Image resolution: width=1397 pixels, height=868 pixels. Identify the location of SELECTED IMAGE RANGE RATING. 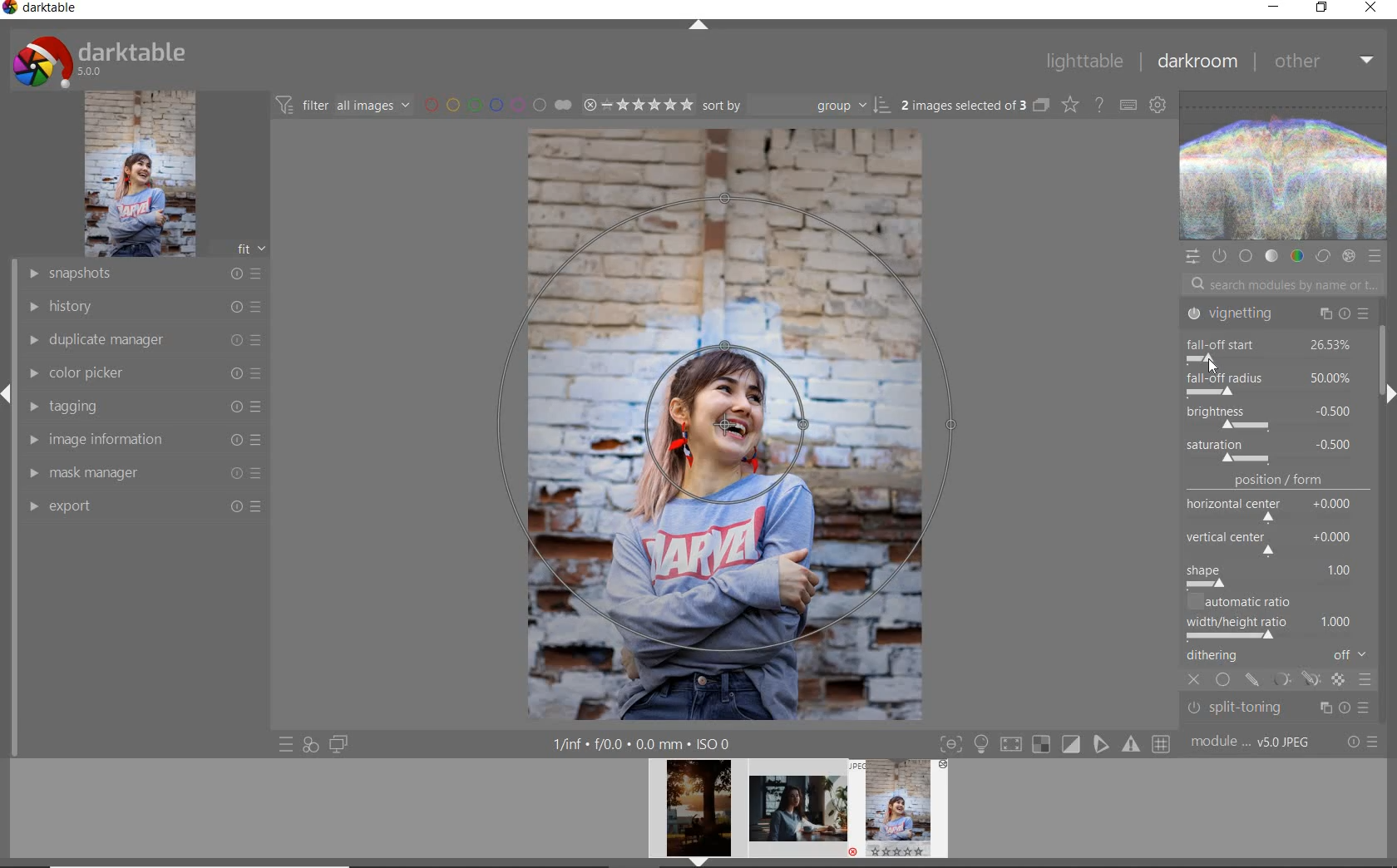
(638, 103).